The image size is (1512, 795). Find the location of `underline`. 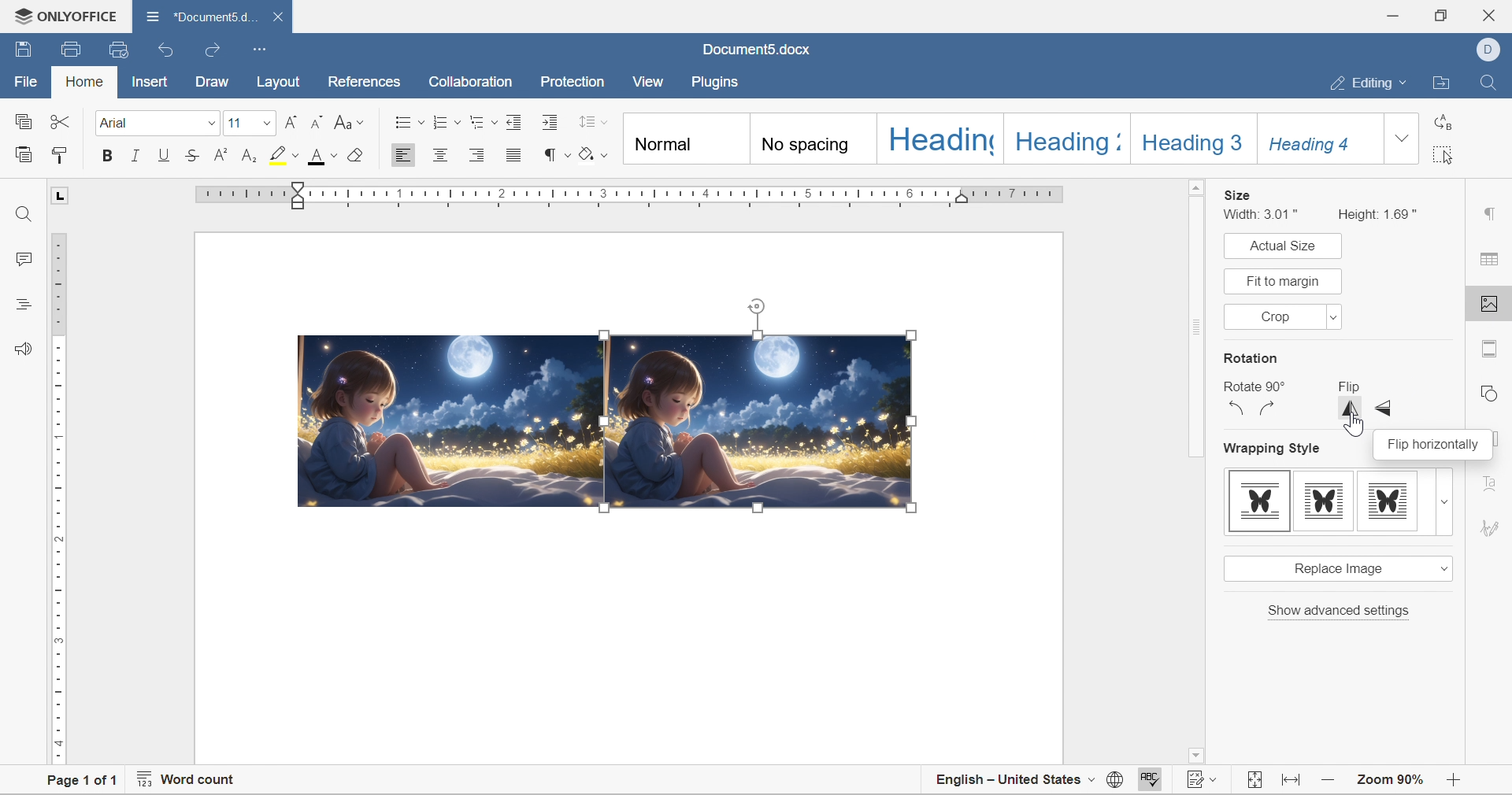

underline is located at coordinates (165, 154).